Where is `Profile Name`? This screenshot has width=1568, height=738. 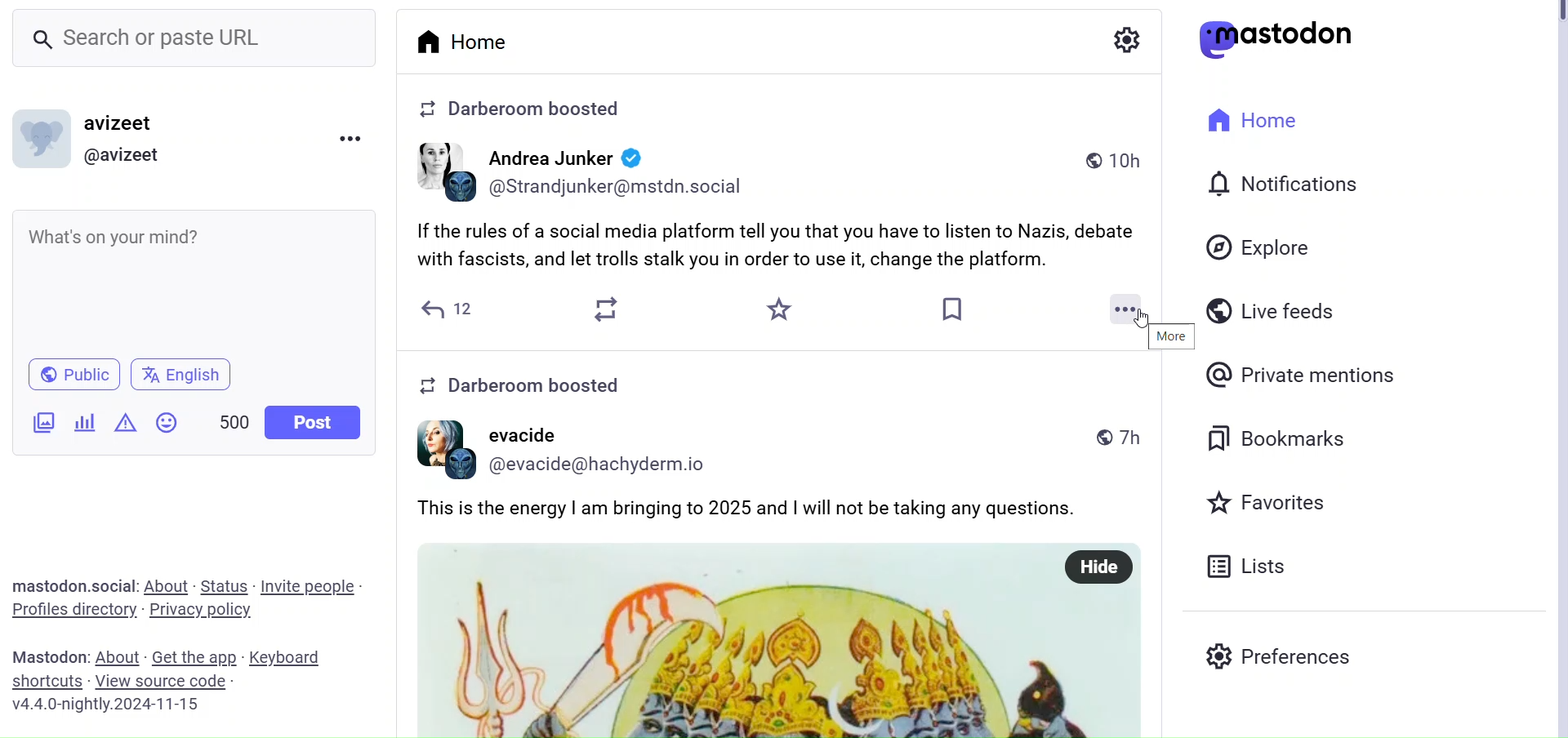 Profile Name is located at coordinates (122, 122).